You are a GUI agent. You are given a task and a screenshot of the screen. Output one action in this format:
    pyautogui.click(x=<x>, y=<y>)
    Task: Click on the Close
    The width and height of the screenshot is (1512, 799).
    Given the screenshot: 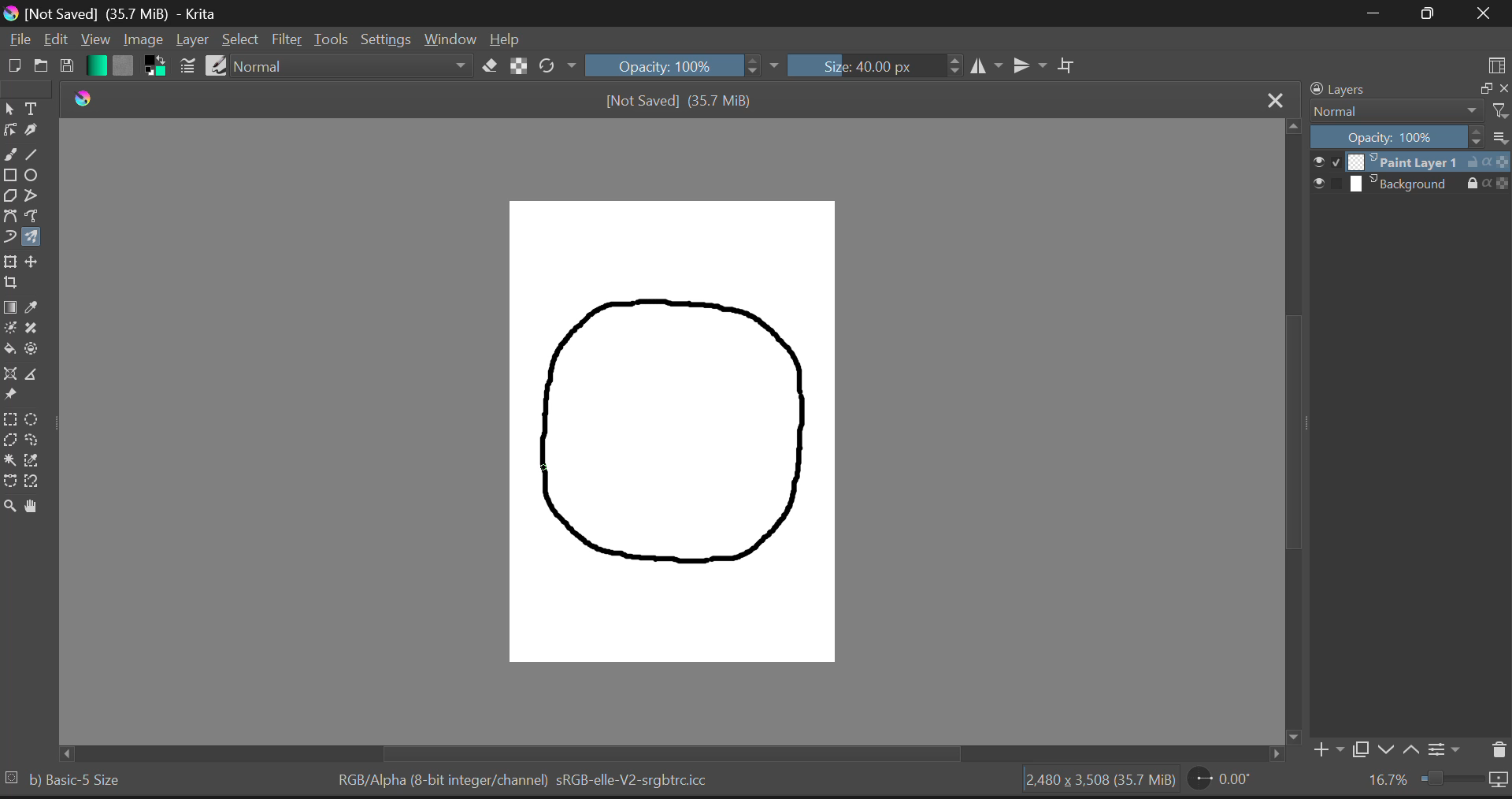 What is the action you would take?
    pyautogui.click(x=1276, y=100)
    